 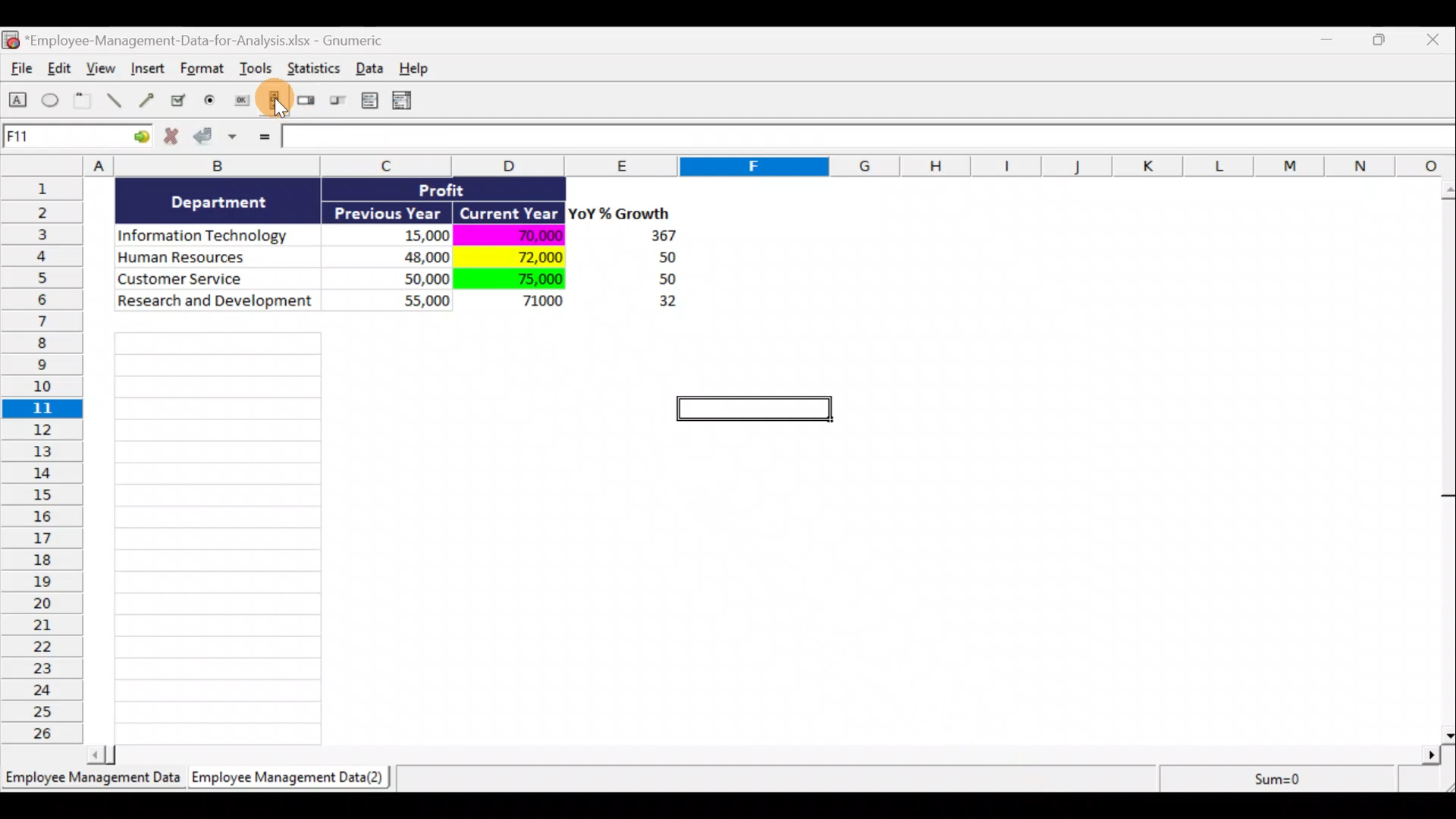 I want to click on Create a rectangle object, so click(x=18, y=102).